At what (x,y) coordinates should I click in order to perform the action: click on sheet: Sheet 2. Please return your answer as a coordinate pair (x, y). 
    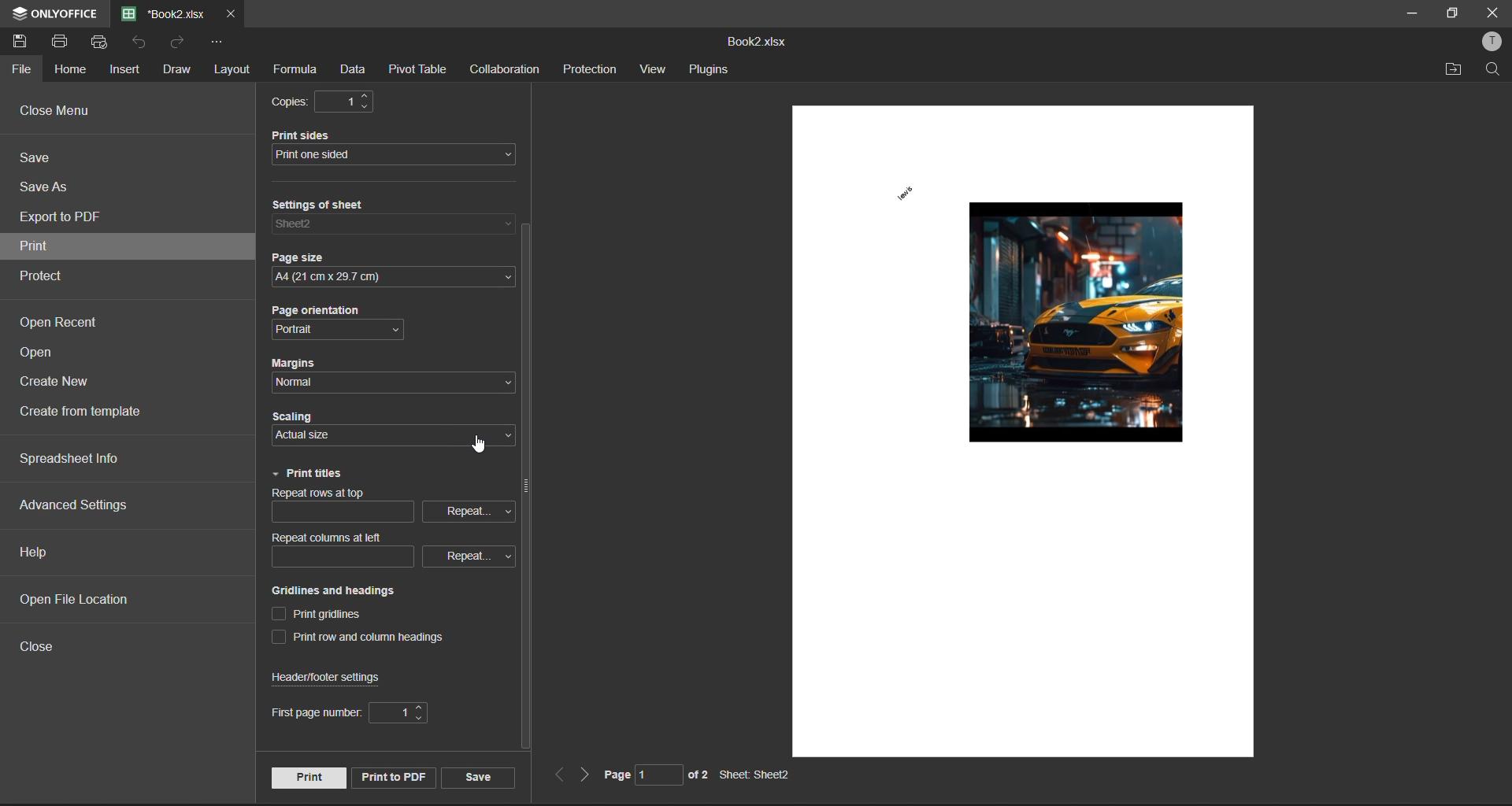
    Looking at the image, I should click on (758, 775).